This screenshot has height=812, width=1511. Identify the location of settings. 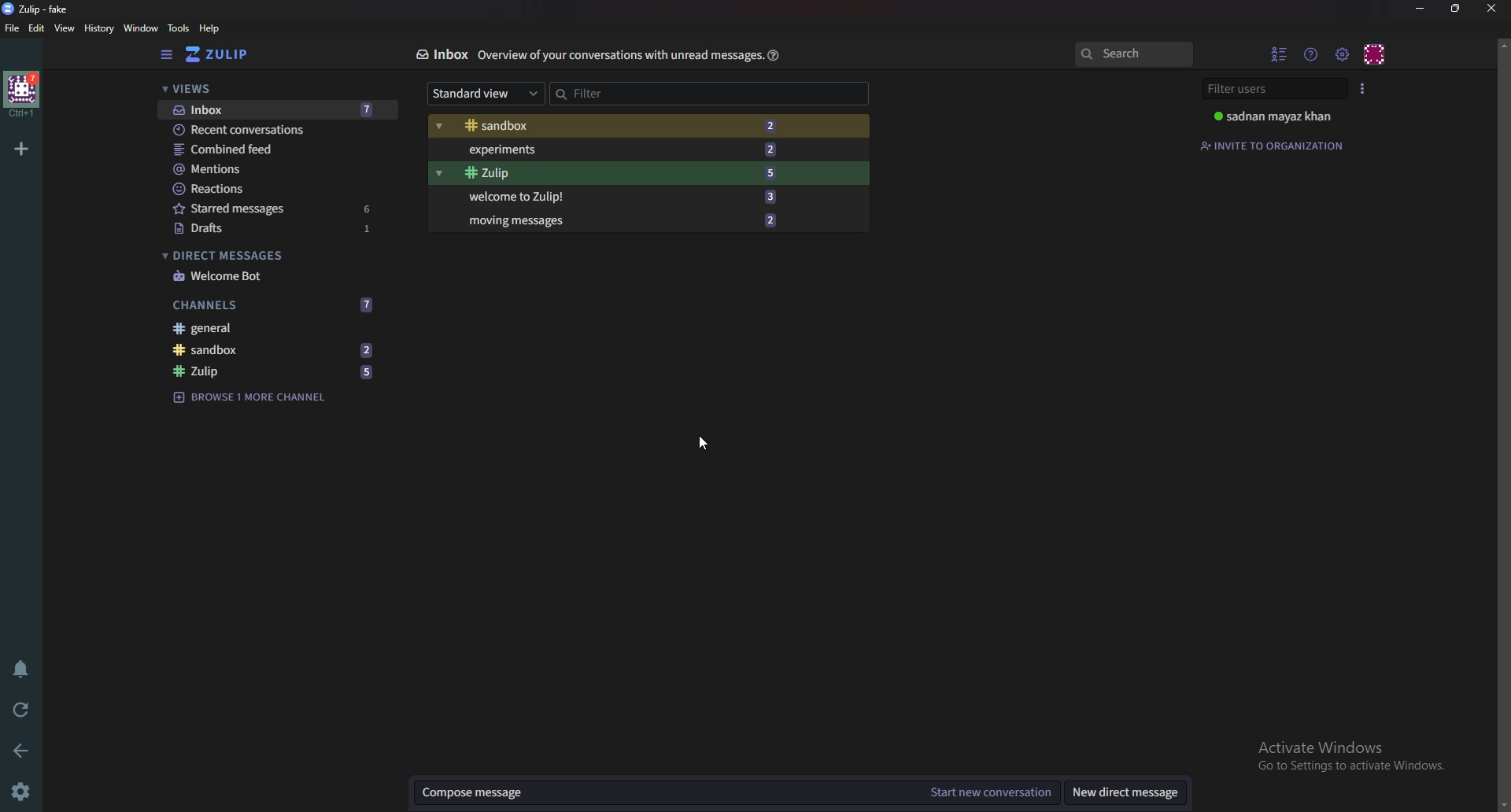
(23, 792).